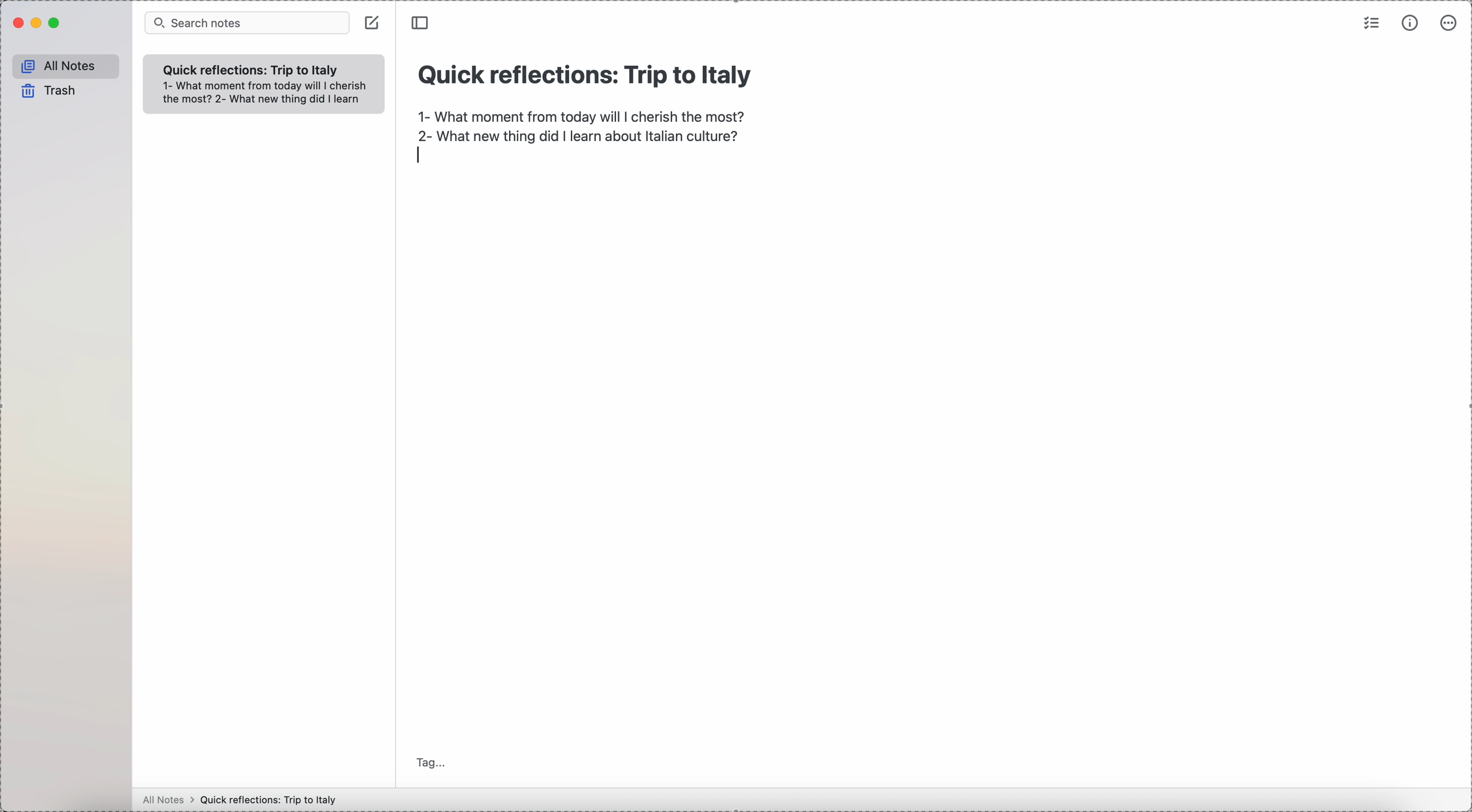 The height and width of the screenshot is (812, 1472). Describe the element at coordinates (583, 115) in the screenshot. I see `1- What moment from today will I cherish the most?` at that location.